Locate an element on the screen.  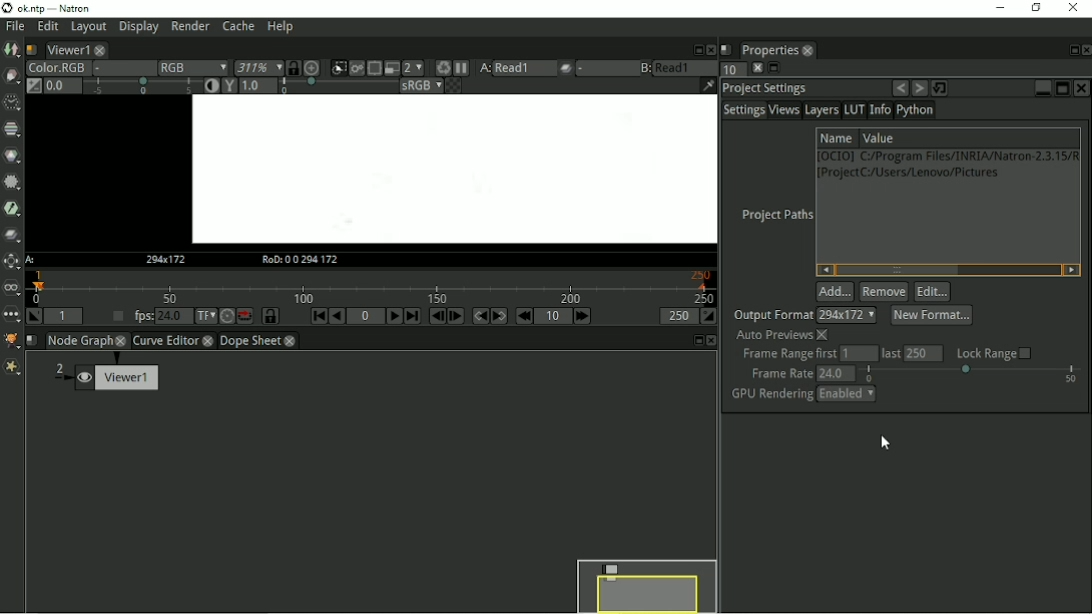
close is located at coordinates (207, 341).